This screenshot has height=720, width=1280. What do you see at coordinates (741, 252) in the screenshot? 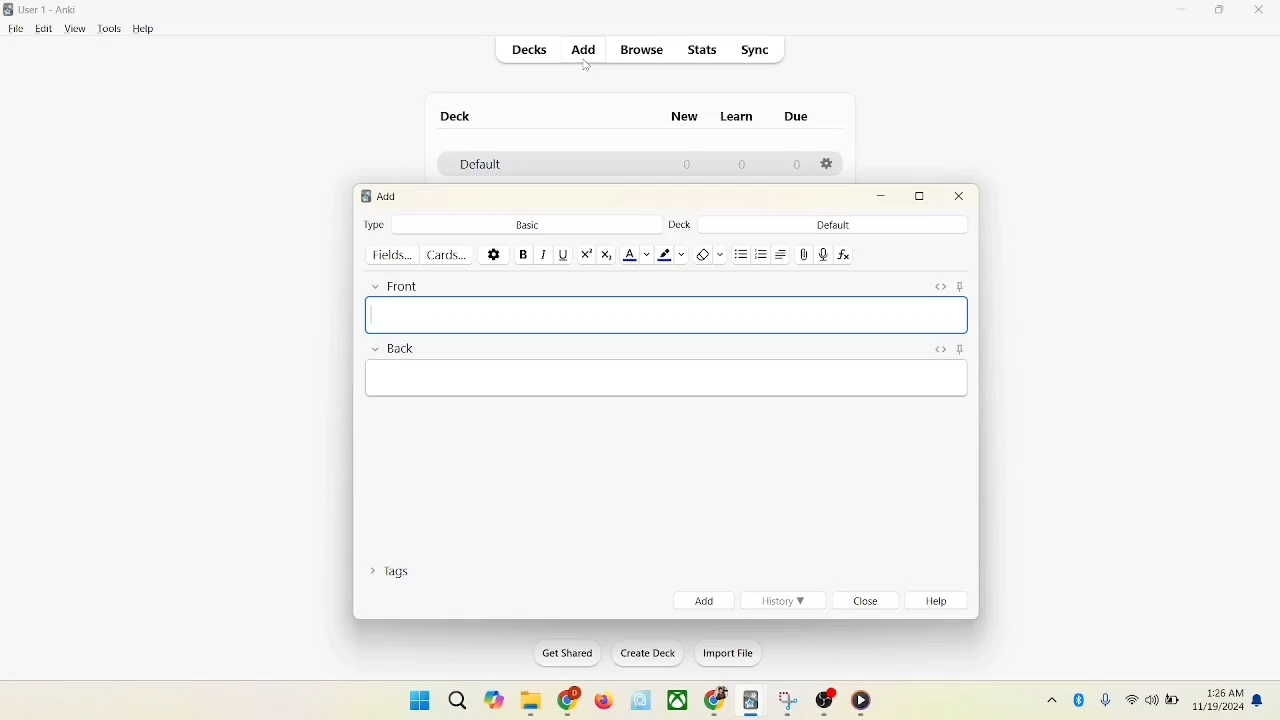
I see `unordered list` at bounding box center [741, 252].